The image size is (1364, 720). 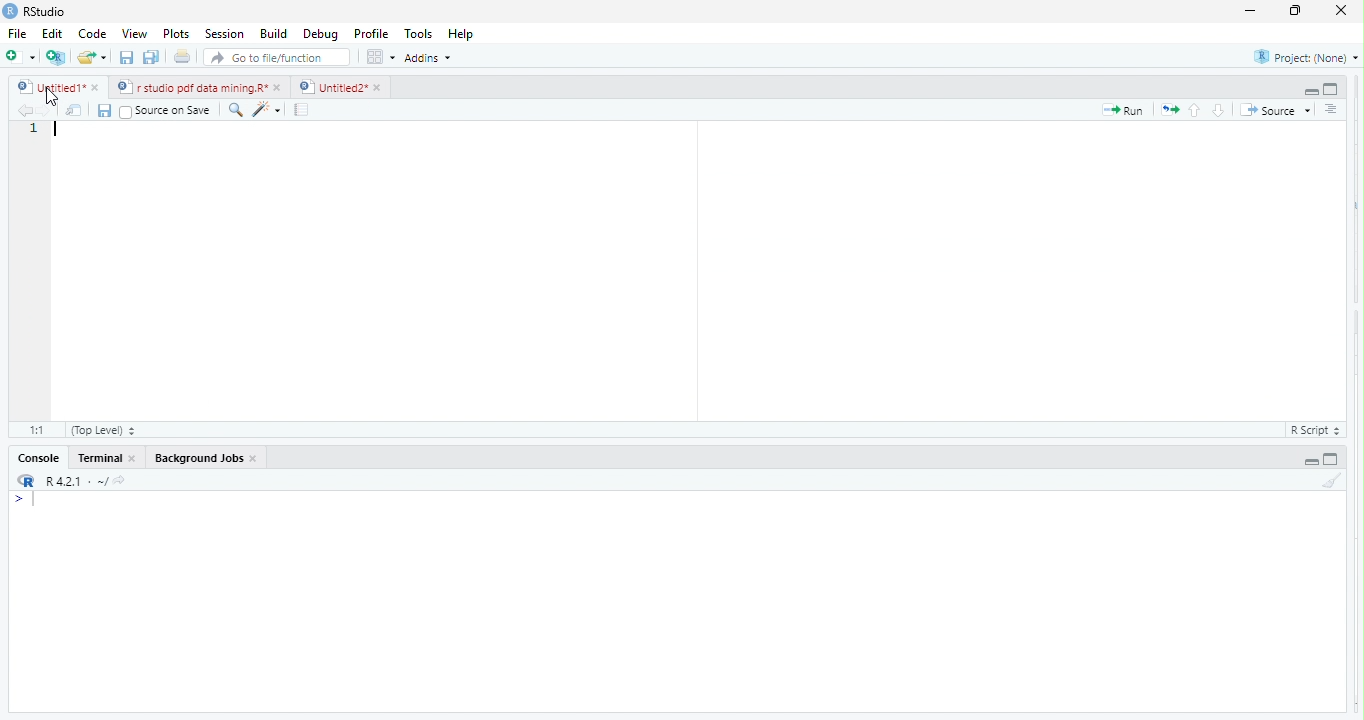 I want to click on Debug, so click(x=321, y=35).